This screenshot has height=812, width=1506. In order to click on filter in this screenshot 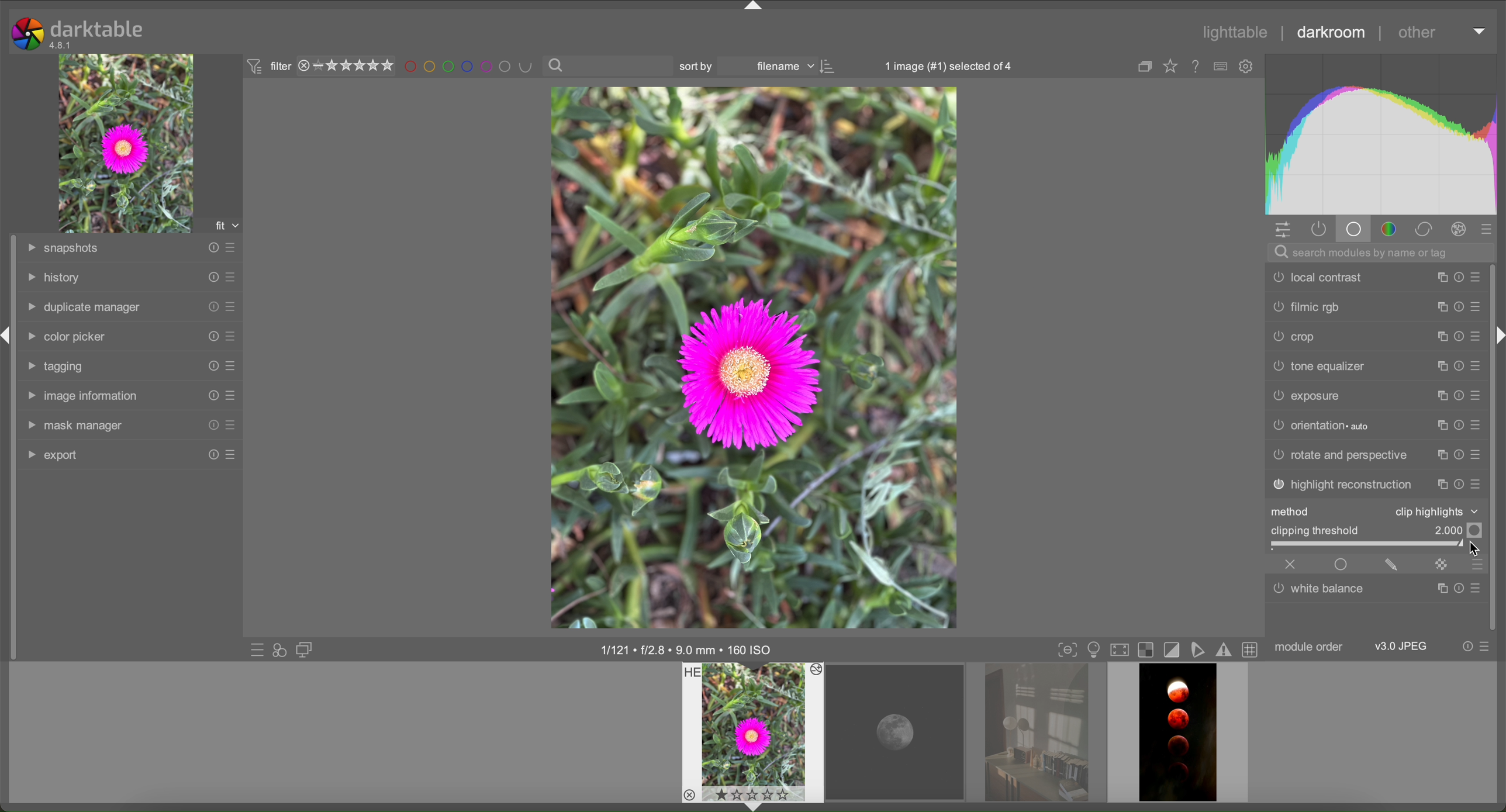, I will do `click(266, 67)`.